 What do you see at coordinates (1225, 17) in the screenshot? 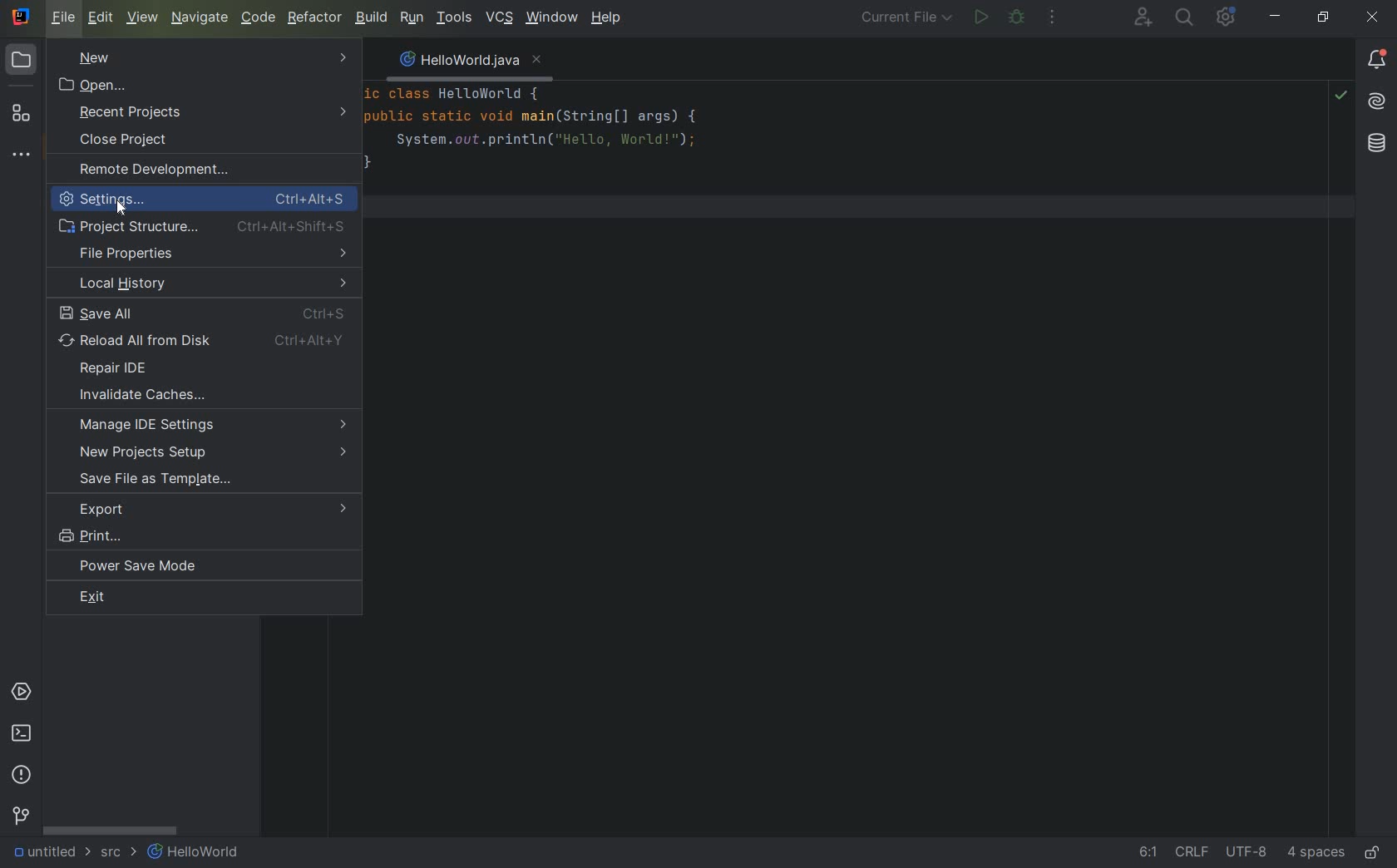
I see `IDE & PROJECT SETTINGS` at bounding box center [1225, 17].